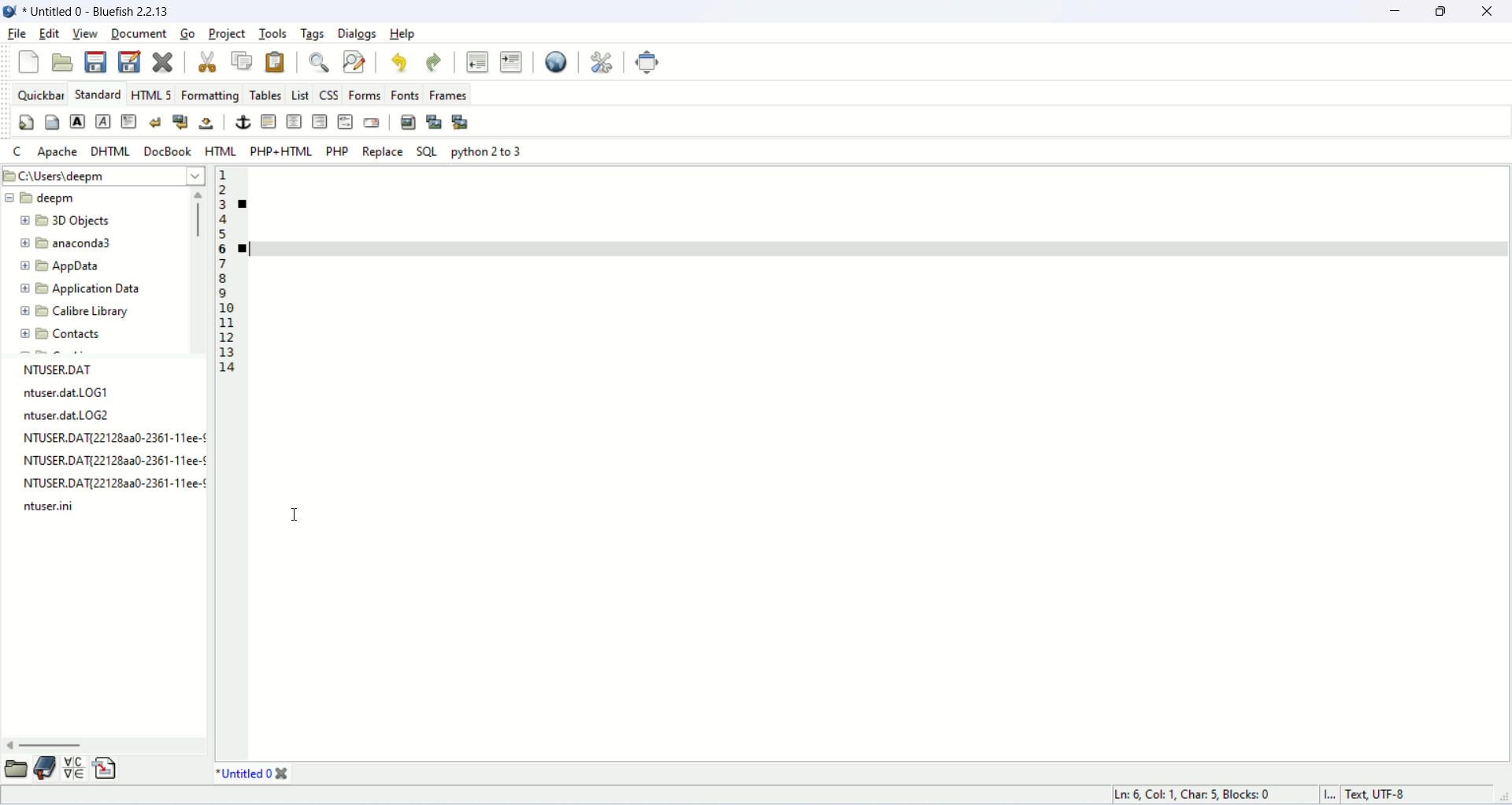  I want to click on indent, so click(513, 63).